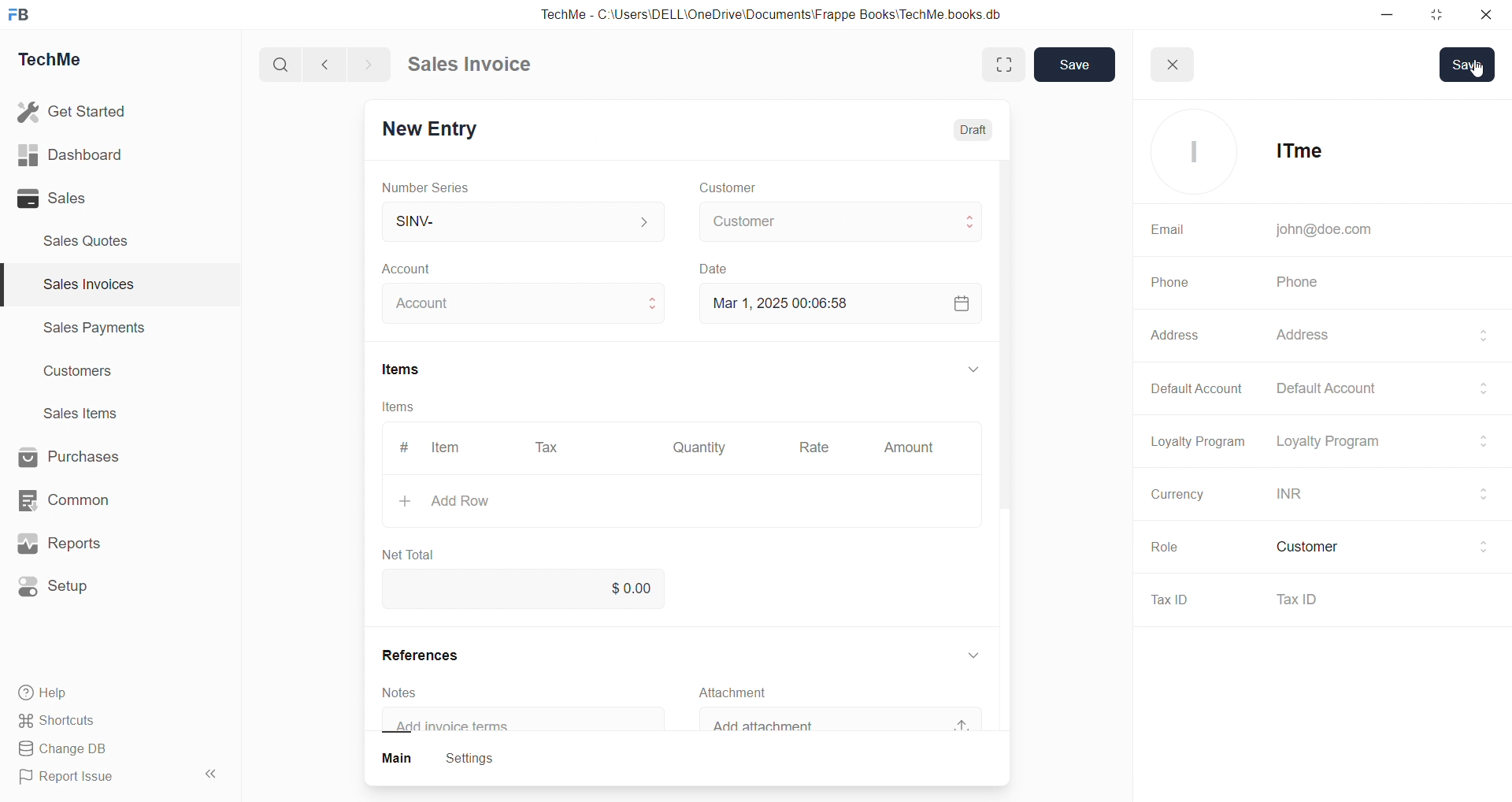  I want to click on ws Reports, so click(74, 544).